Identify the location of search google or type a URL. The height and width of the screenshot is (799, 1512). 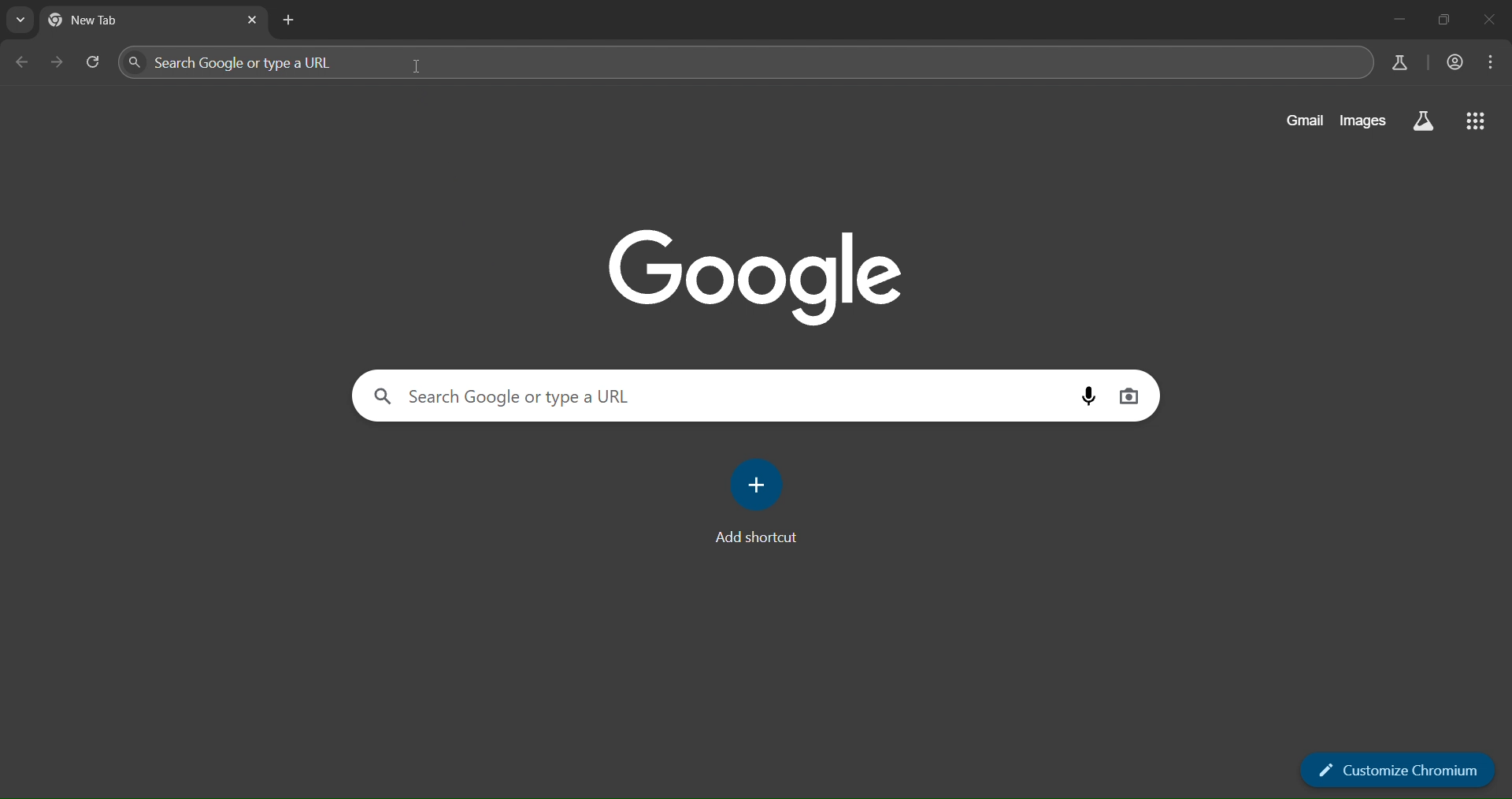
(742, 63).